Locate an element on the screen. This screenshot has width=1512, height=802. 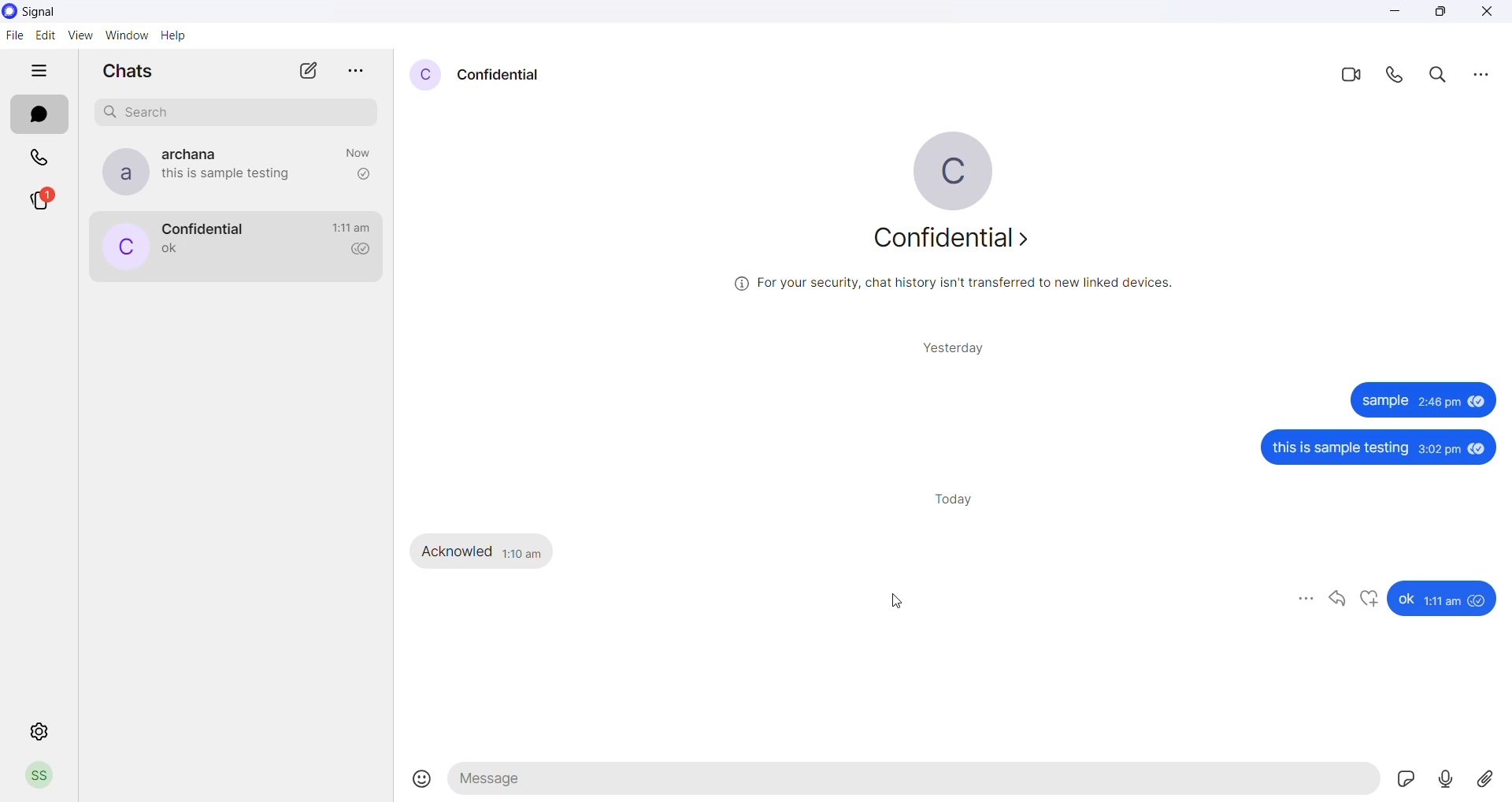
maximize is located at coordinates (1440, 14).